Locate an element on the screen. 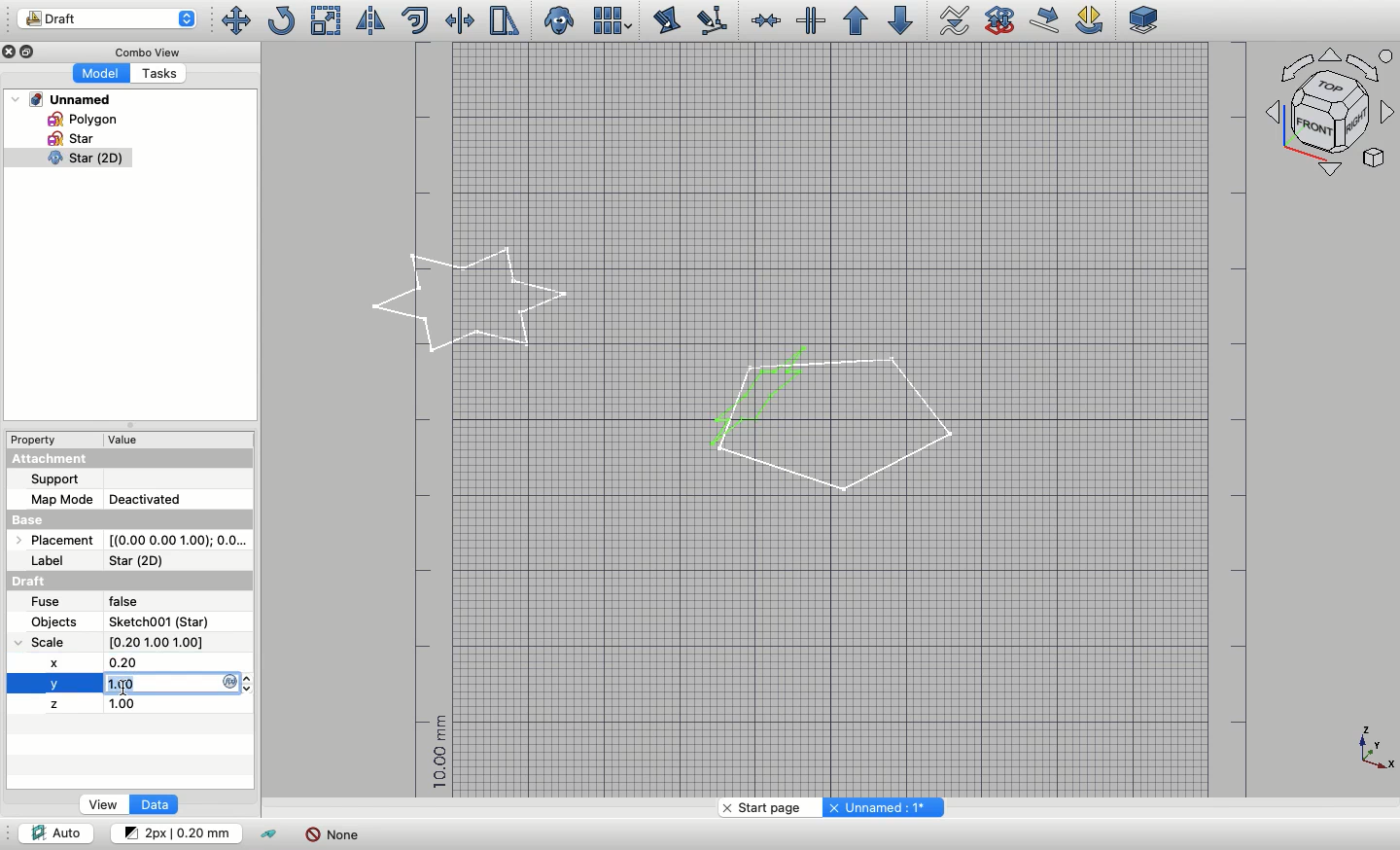  Rotate is located at coordinates (280, 20).